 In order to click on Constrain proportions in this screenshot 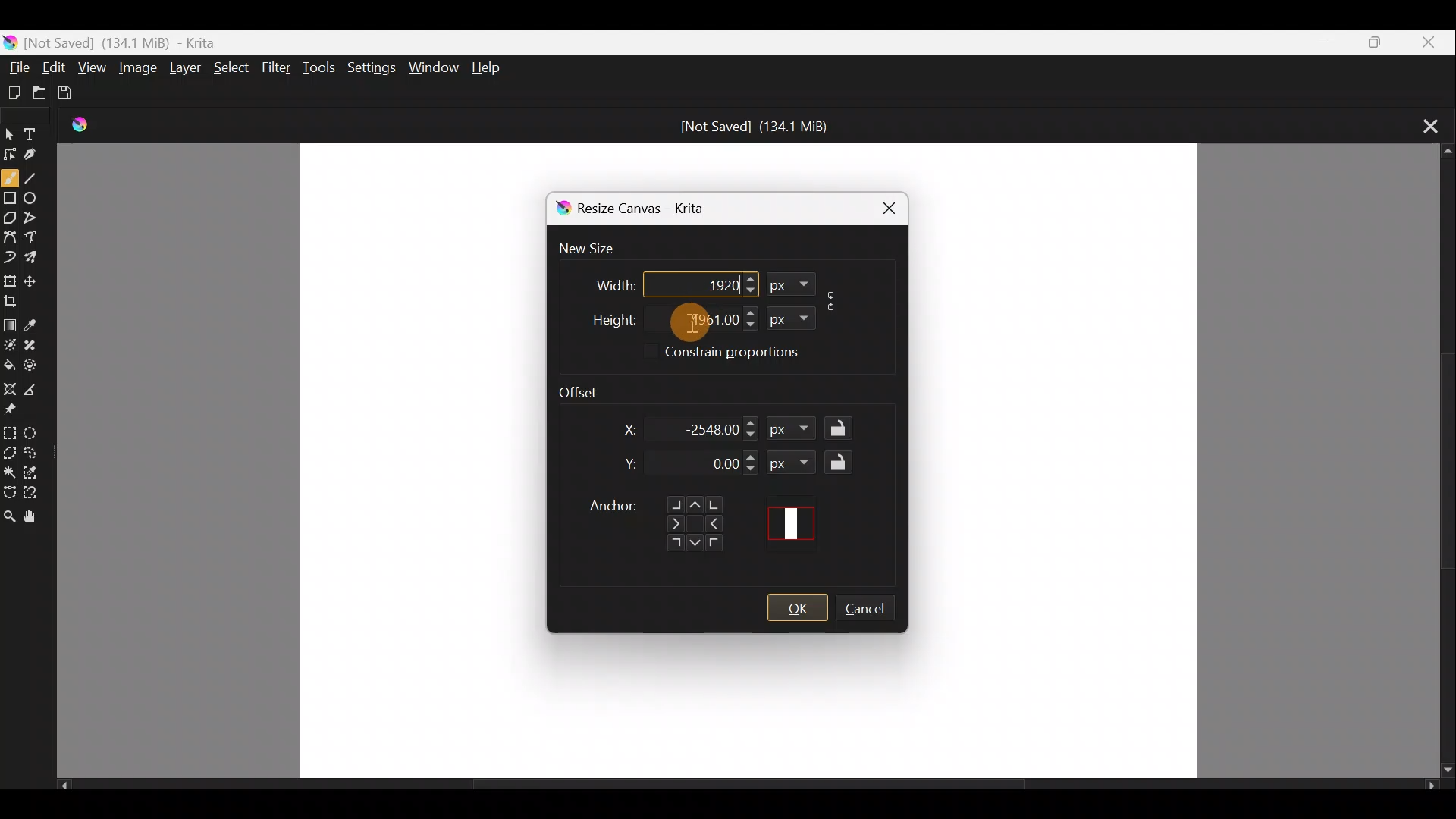, I will do `click(754, 354)`.